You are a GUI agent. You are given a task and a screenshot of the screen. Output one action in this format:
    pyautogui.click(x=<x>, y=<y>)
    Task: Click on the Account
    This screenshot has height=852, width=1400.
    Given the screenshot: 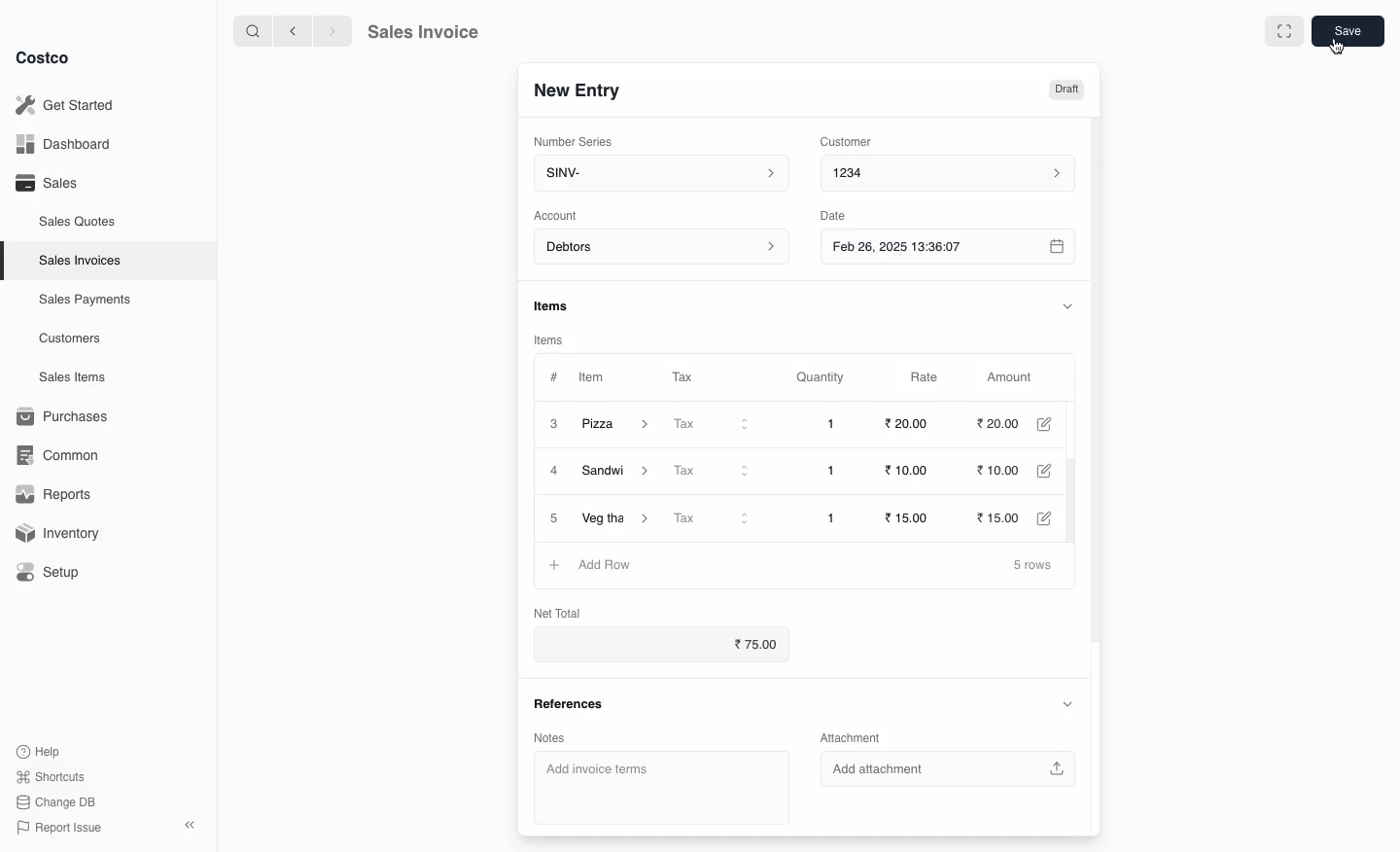 What is the action you would take?
    pyautogui.click(x=663, y=250)
    